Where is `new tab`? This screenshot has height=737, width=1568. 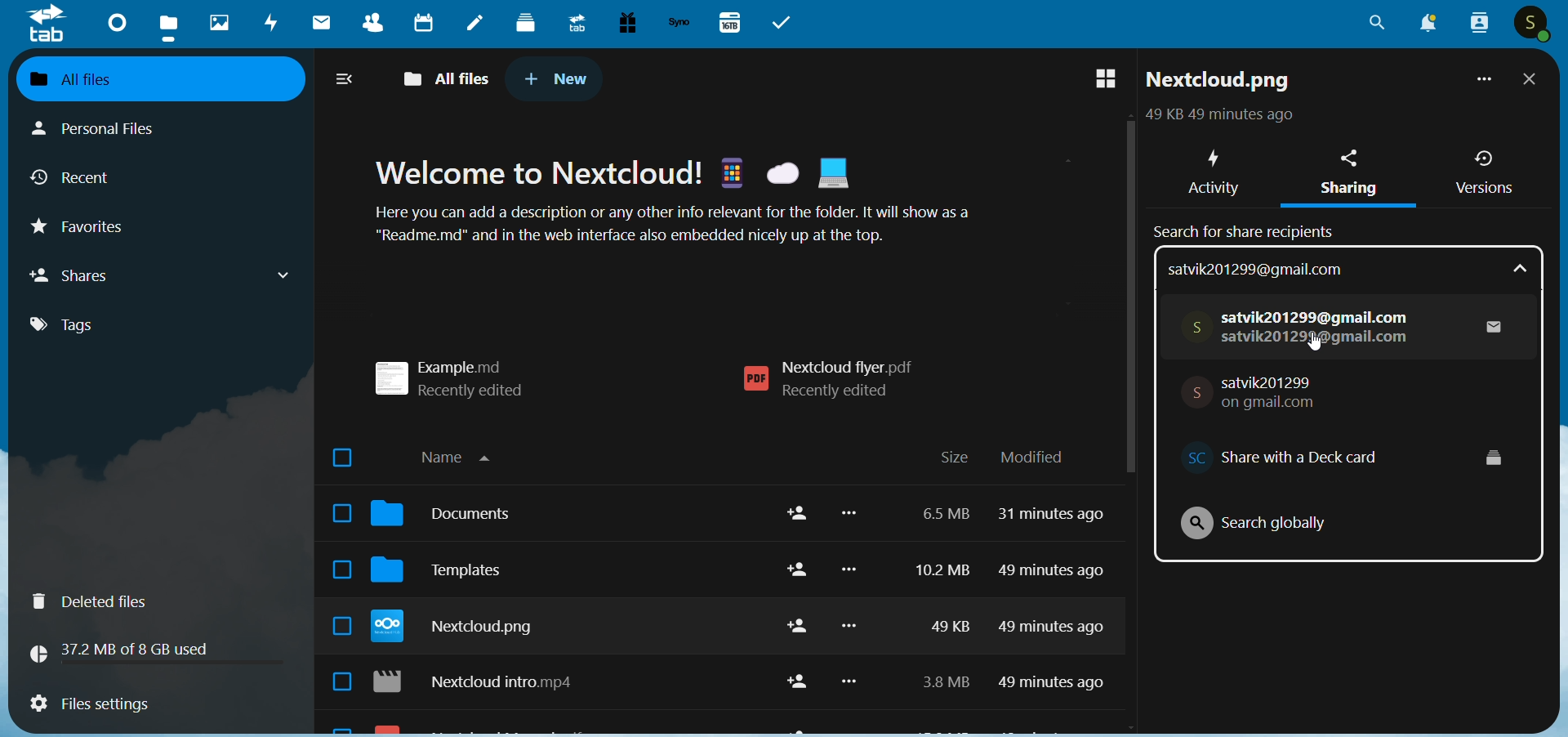
new tab is located at coordinates (557, 78).